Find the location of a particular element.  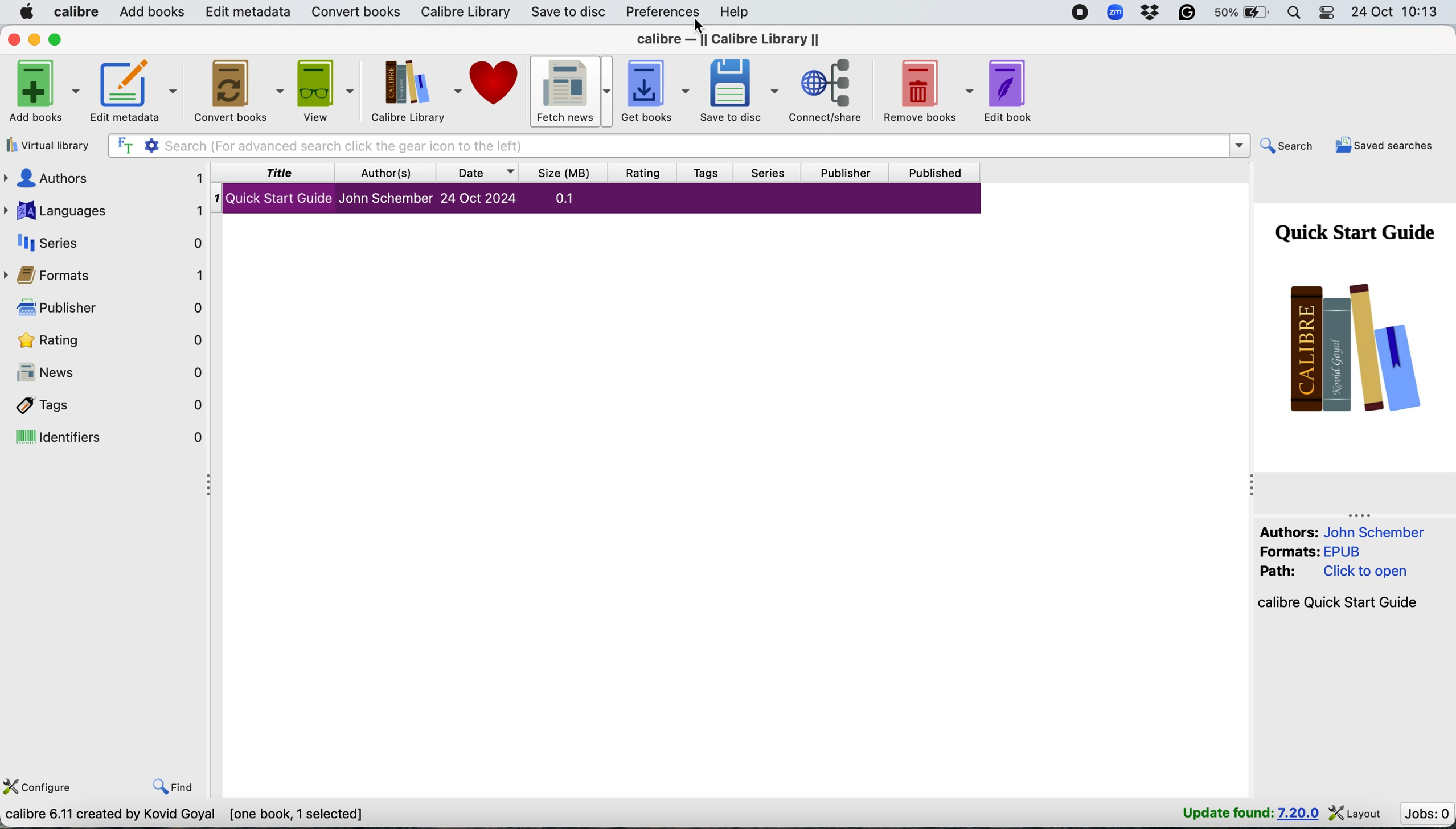

connect/share is located at coordinates (830, 93).